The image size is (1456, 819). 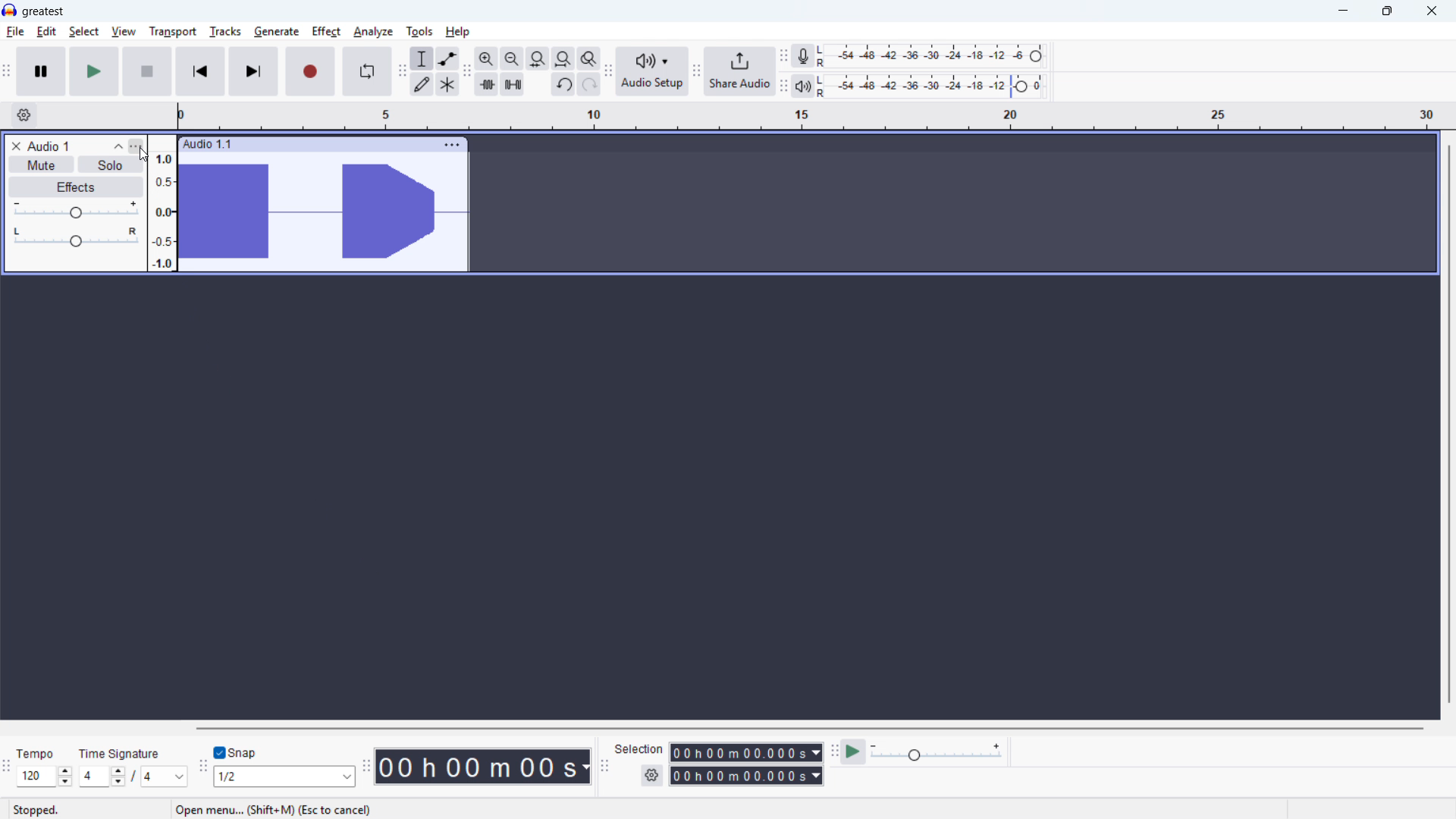 What do you see at coordinates (484, 767) in the screenshot?
I see `Timestamp ` at bounding box center [484, 767].